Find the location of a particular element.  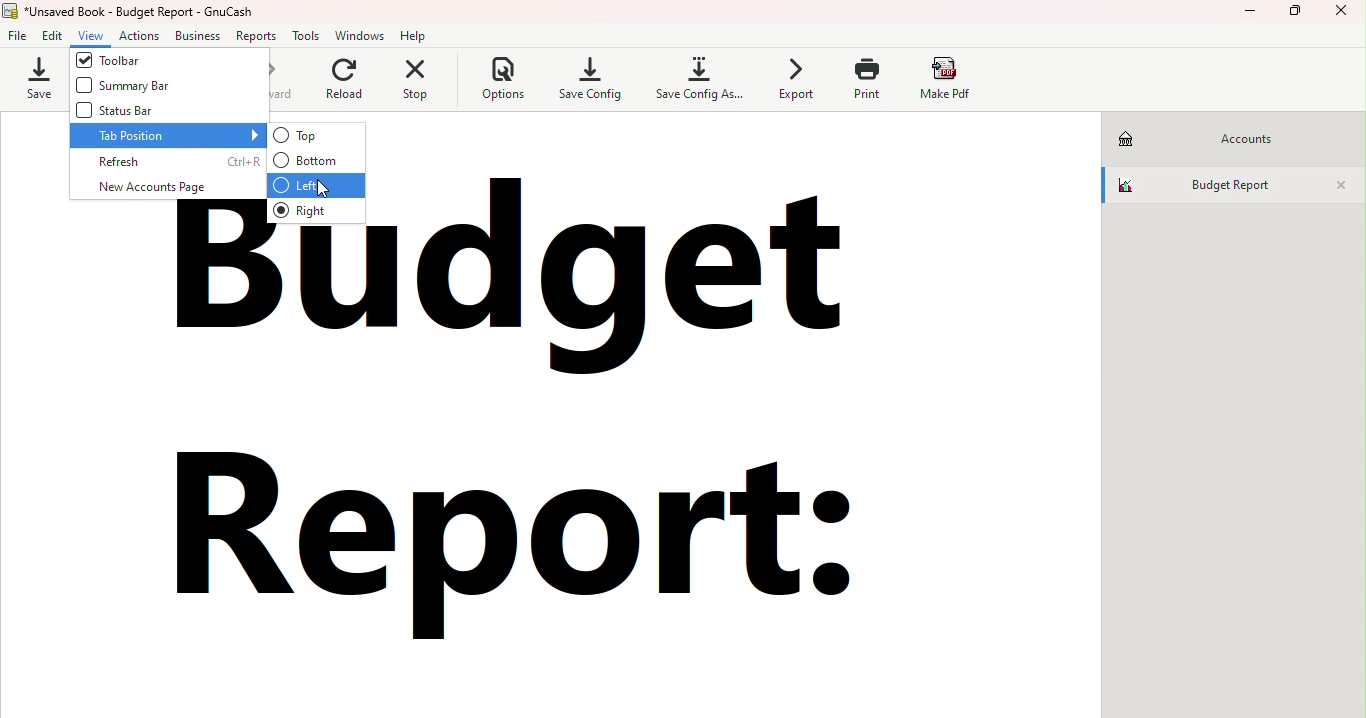

Save config as is located at coordinates (696, 79).